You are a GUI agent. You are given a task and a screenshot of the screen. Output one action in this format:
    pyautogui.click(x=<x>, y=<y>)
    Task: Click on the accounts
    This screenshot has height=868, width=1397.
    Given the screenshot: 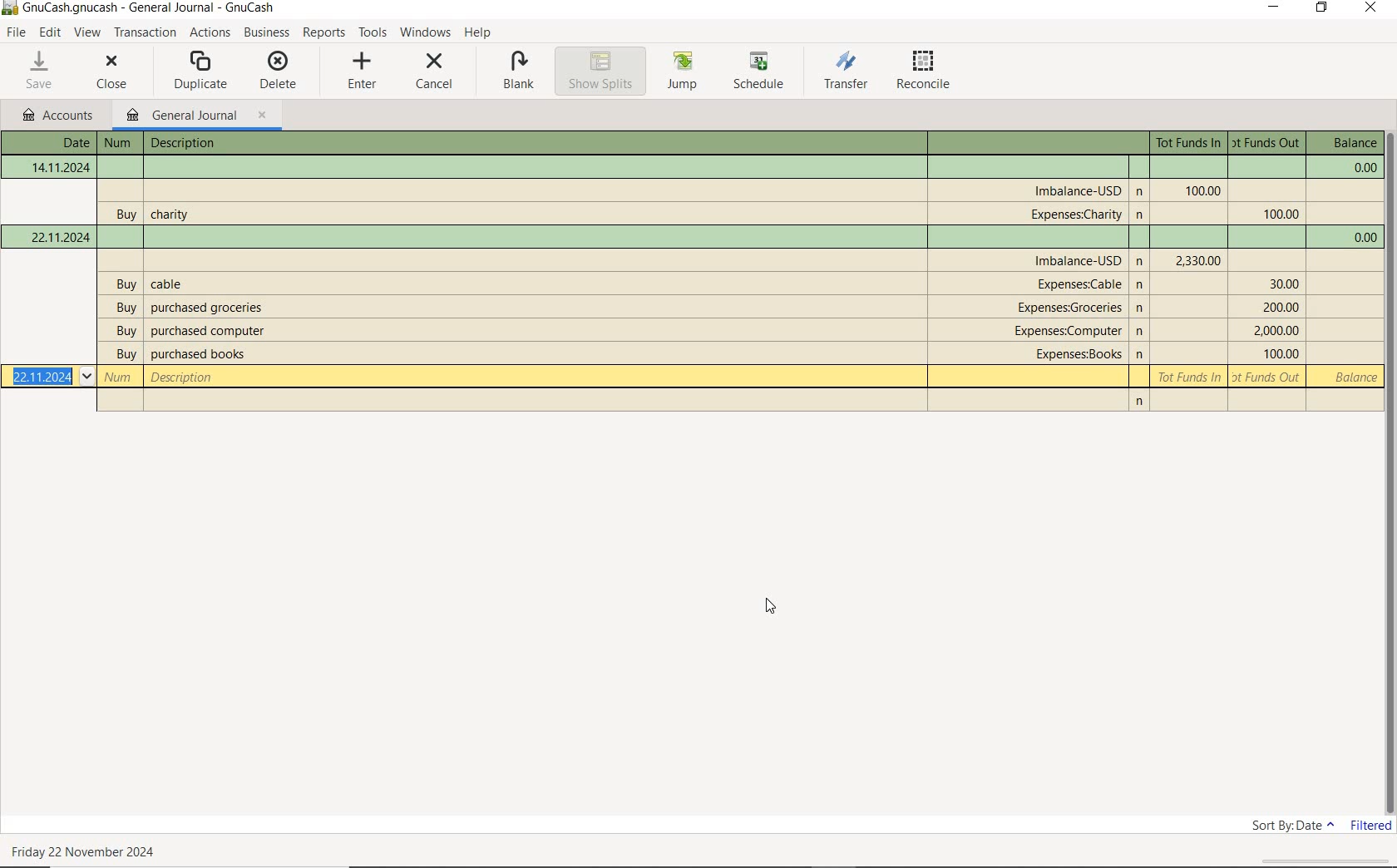 What is the action you would take?
    pyautogui.click(x=60, y=116)
    